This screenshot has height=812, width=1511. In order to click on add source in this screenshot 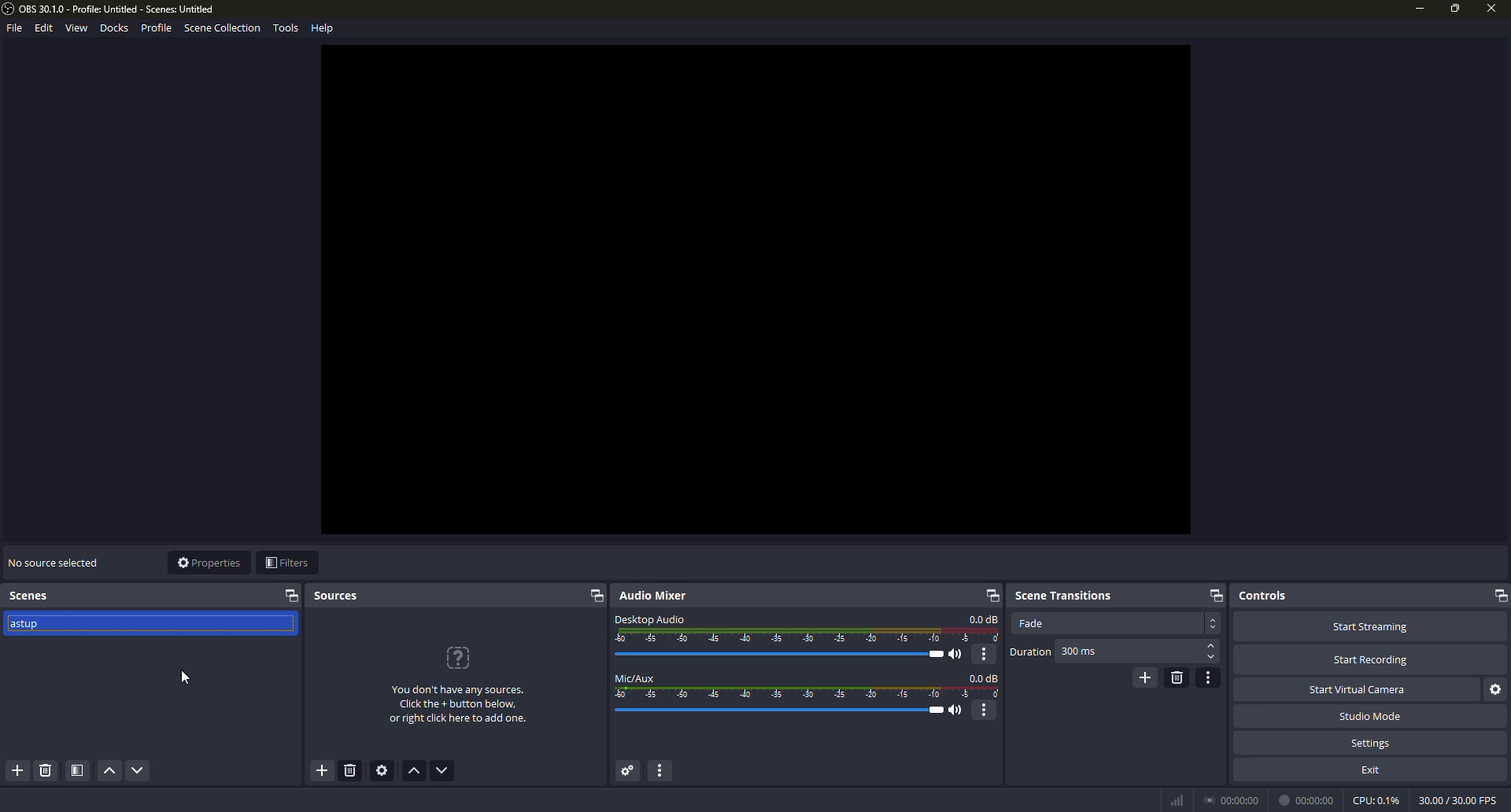, I will do `click(321, 771)`.